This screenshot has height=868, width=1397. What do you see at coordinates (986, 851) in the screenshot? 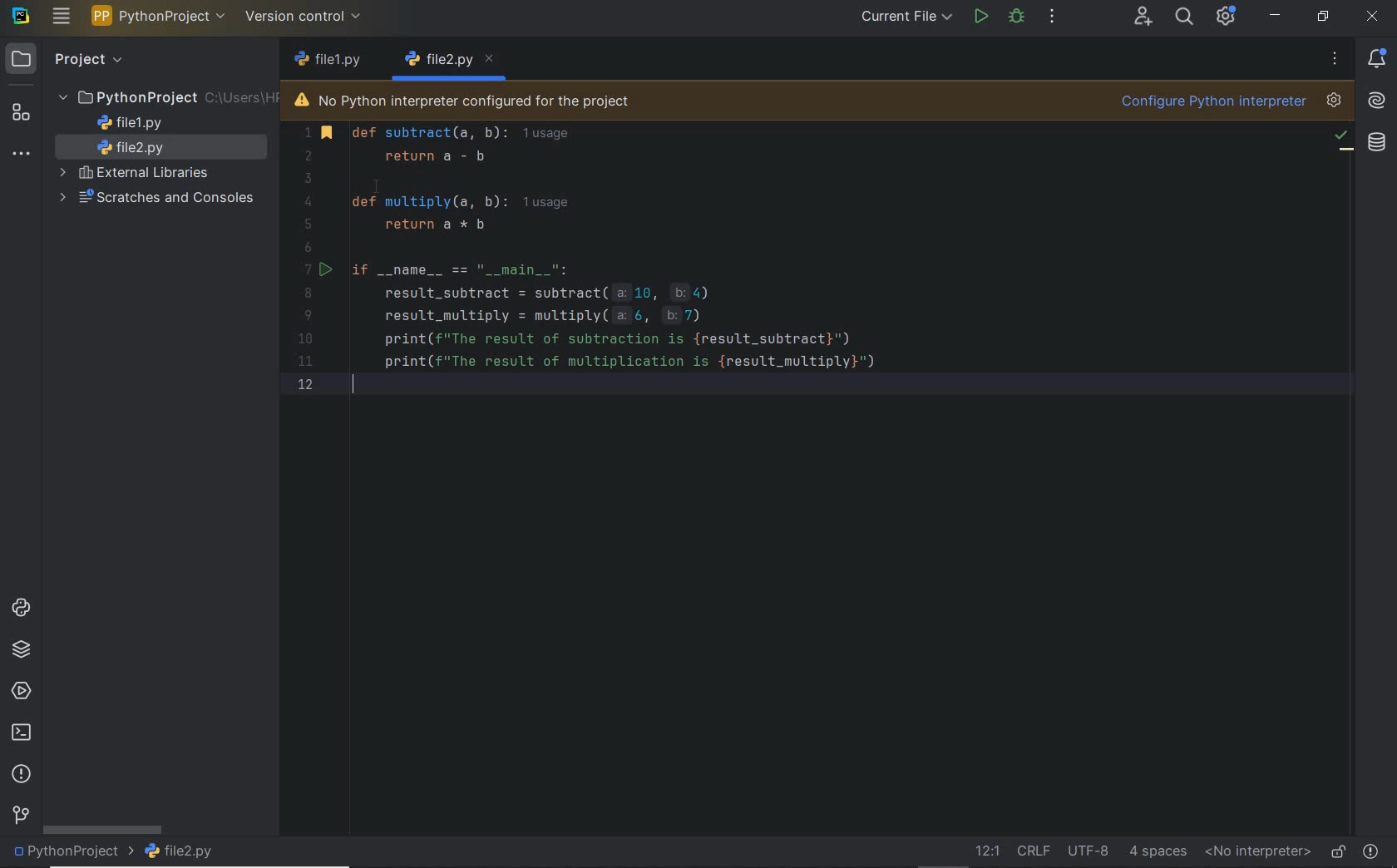
I see `go to line` at bounding box center [986, 851].